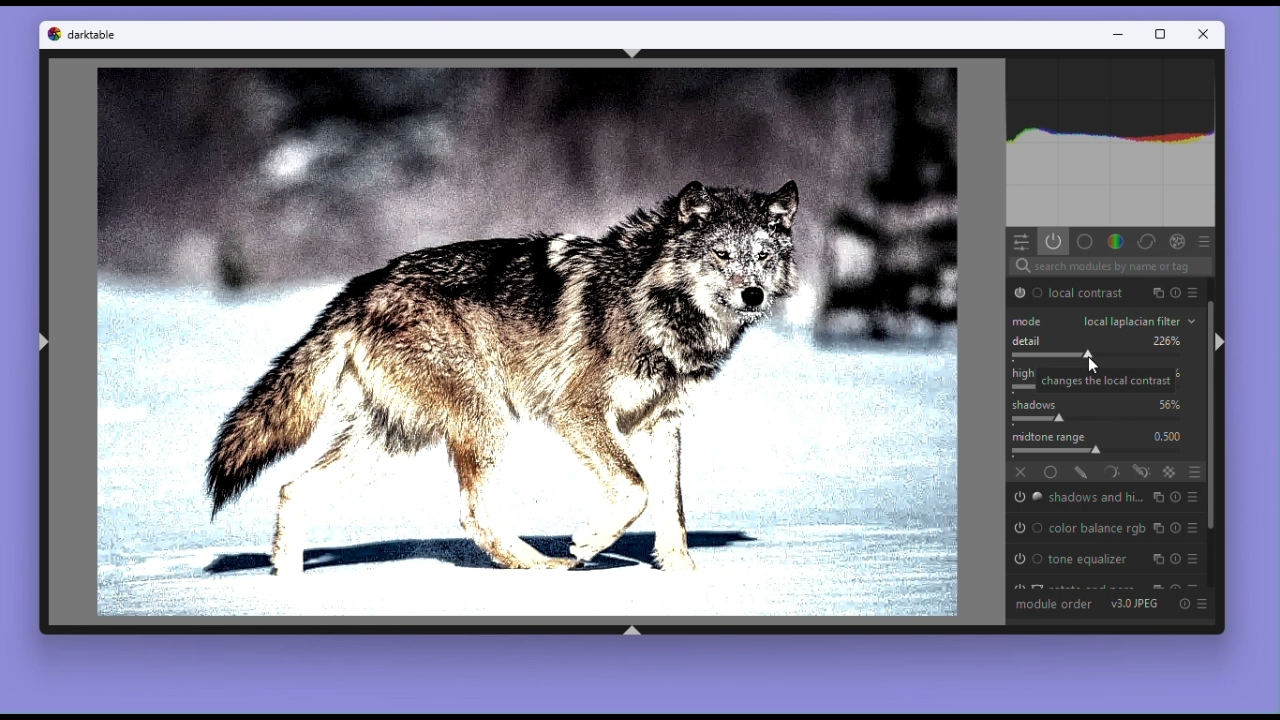  I want to click on tone equalizer, so click(1091, 560).